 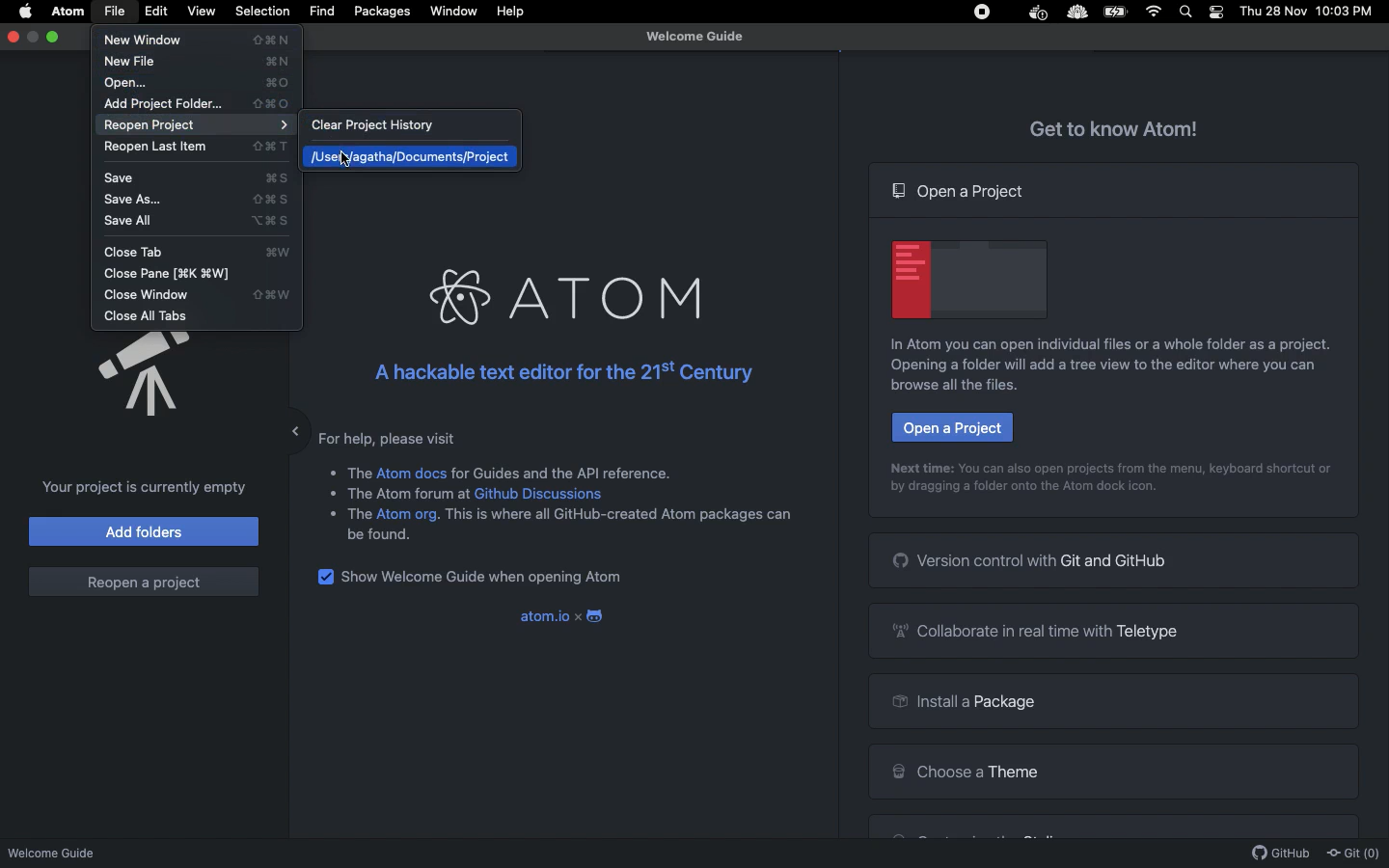 What do you see at coordinates (201, 222) in the screenshot?
I see `Save all` at bounding box center [201, 222].